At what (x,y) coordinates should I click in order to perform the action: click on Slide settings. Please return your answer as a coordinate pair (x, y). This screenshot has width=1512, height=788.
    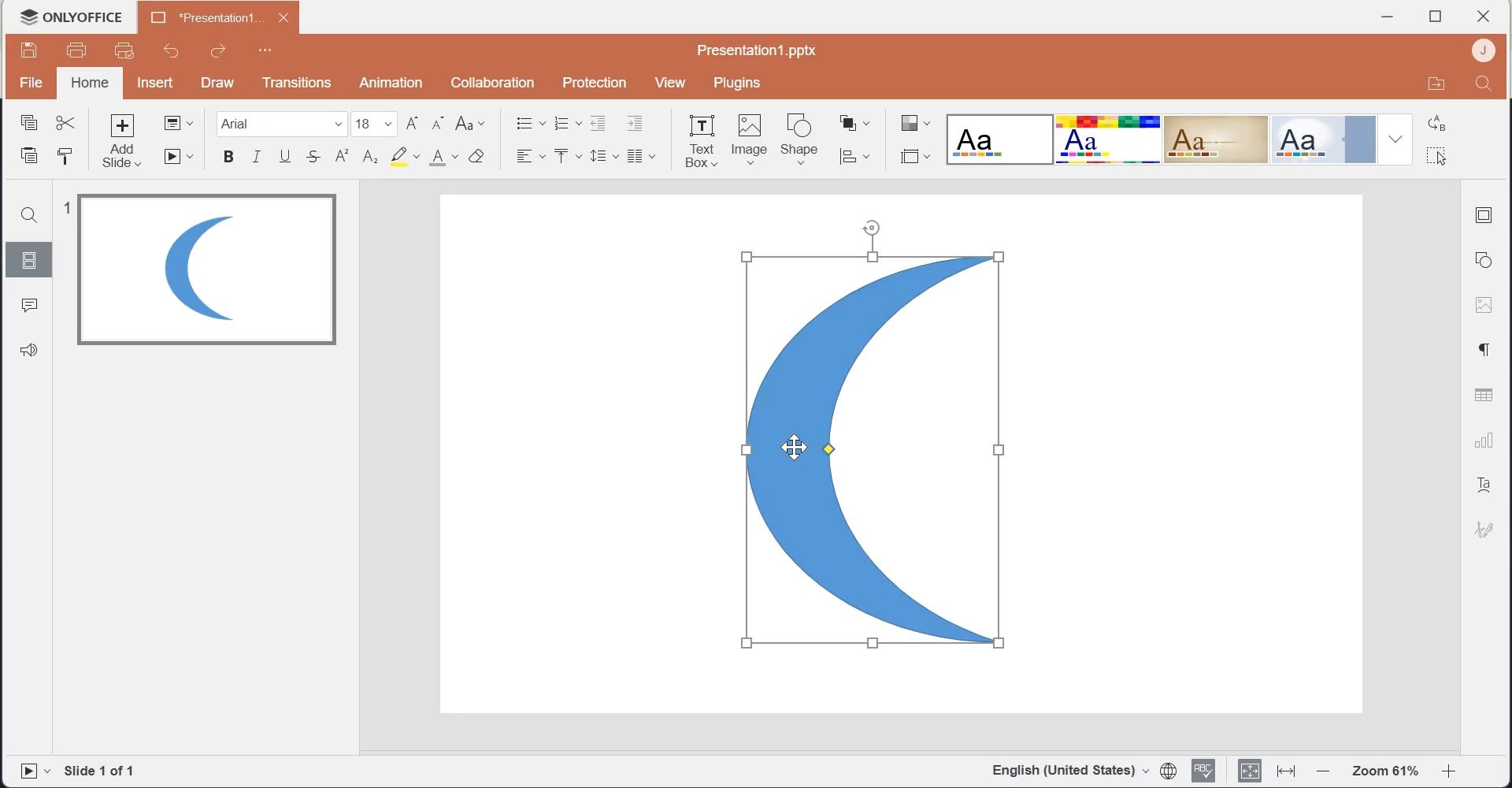
    Looking at the image, I should click on (1488, 214).